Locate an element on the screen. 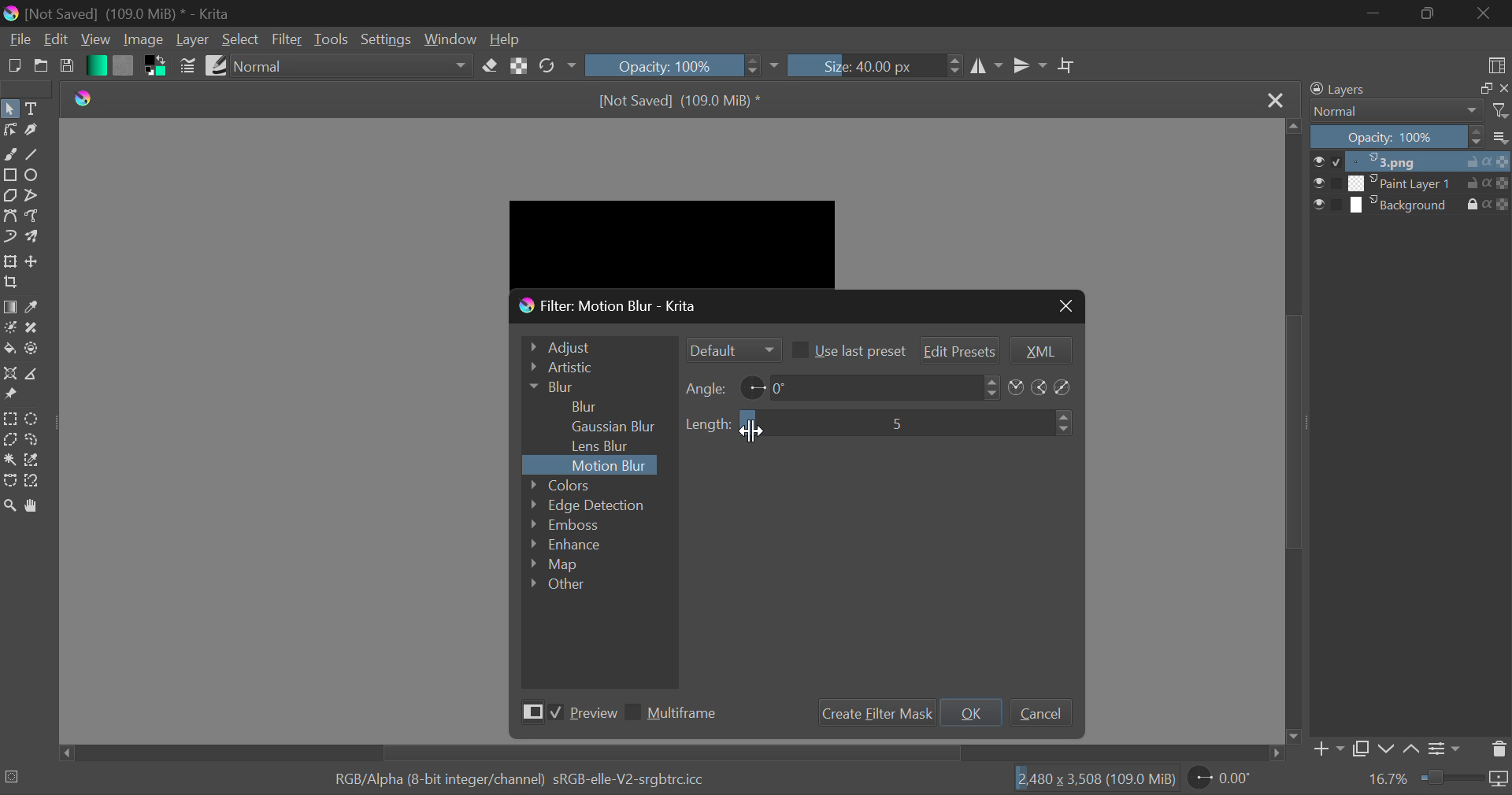  Close is located at coordinates (1064, 305).